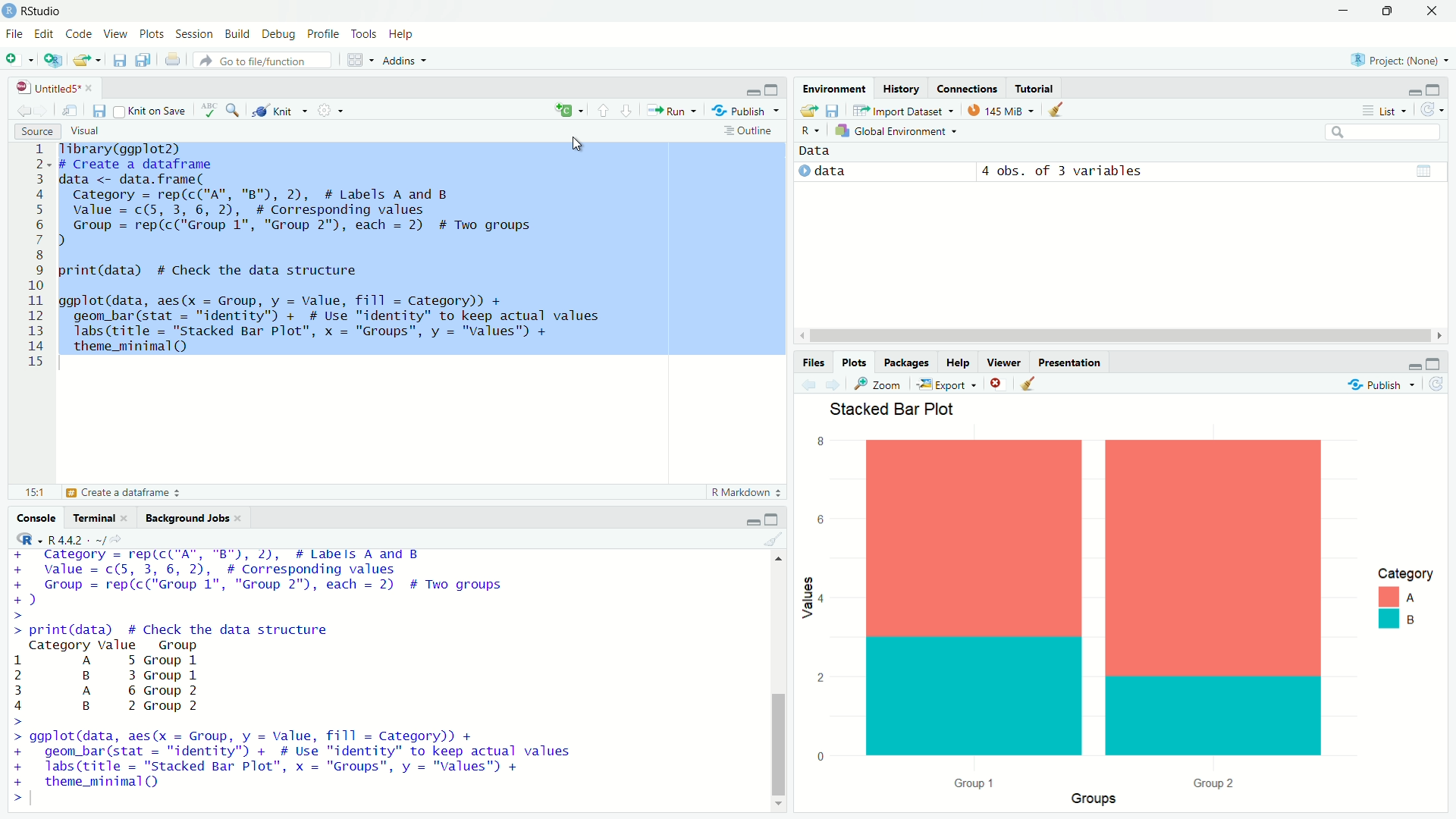 The image size is (1456, 819). What do you see at coordinates (573, 141) in the screenshot?
I see `Cursor` at bounding box center [573, 141].